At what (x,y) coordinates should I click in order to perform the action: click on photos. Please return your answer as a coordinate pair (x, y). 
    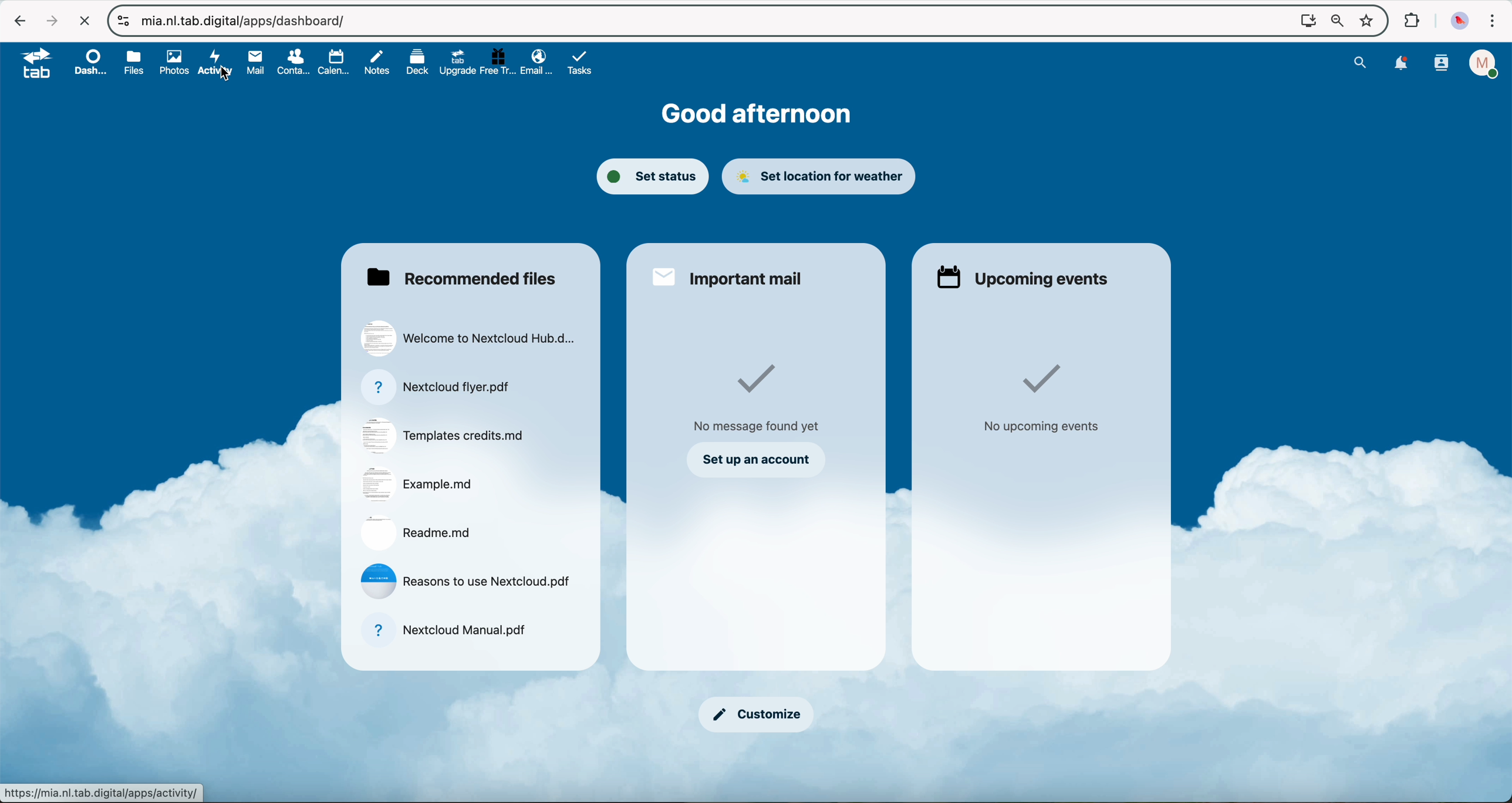
    Looking at the image, I should click on (171, 62).